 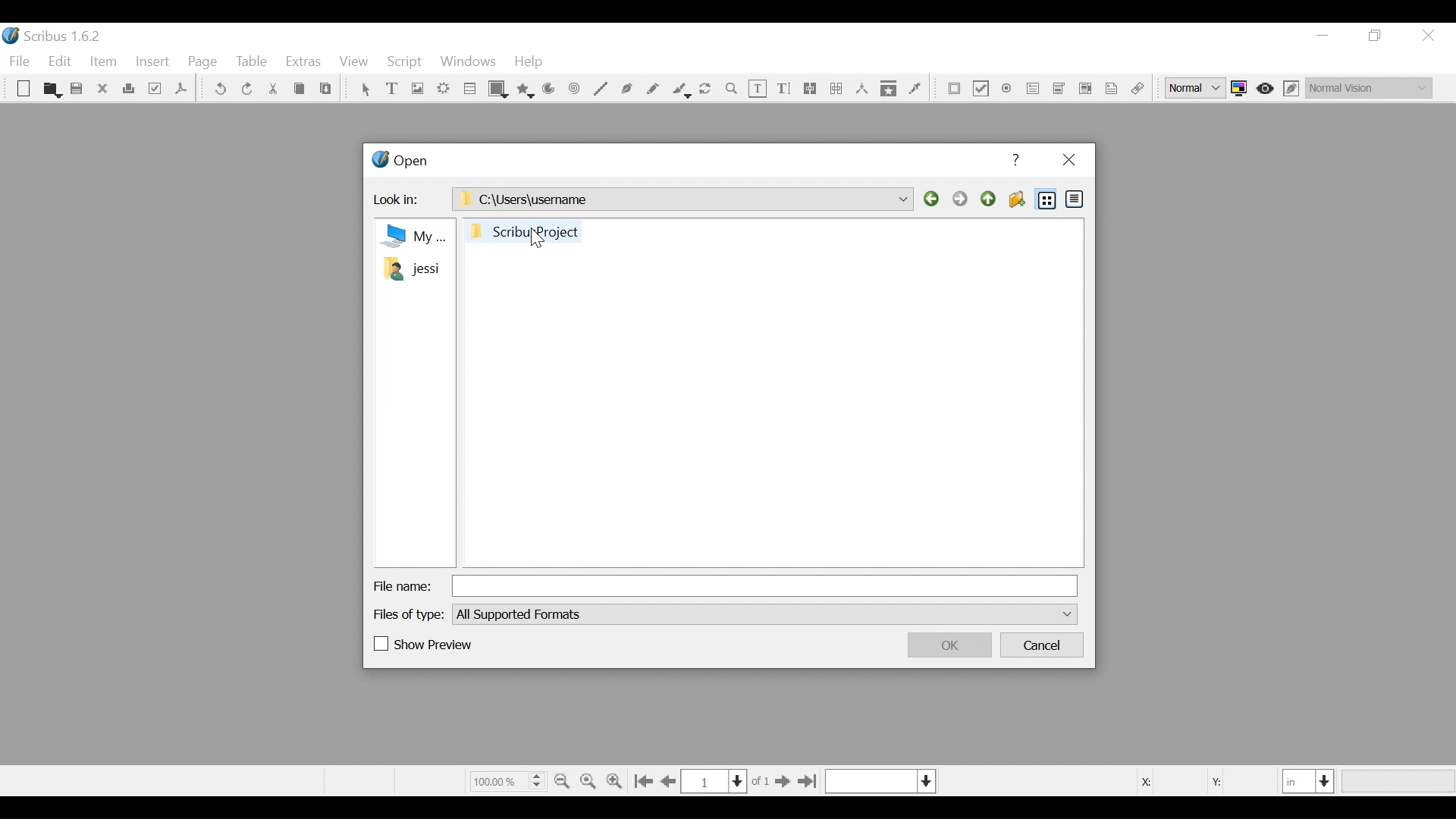 I want to click on Edit, so click(x=61, y=62).